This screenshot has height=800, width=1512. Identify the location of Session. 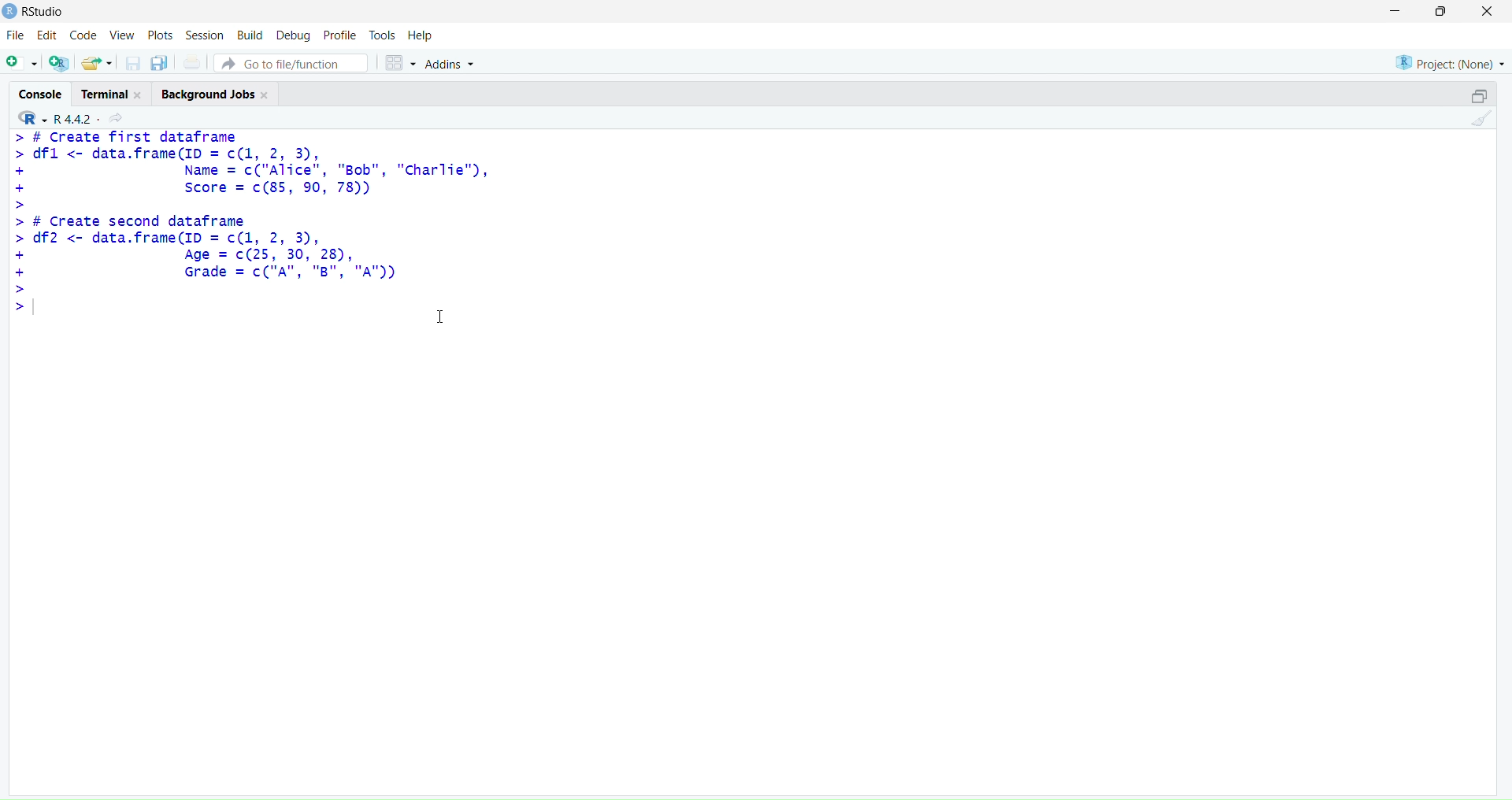
(206, 35).